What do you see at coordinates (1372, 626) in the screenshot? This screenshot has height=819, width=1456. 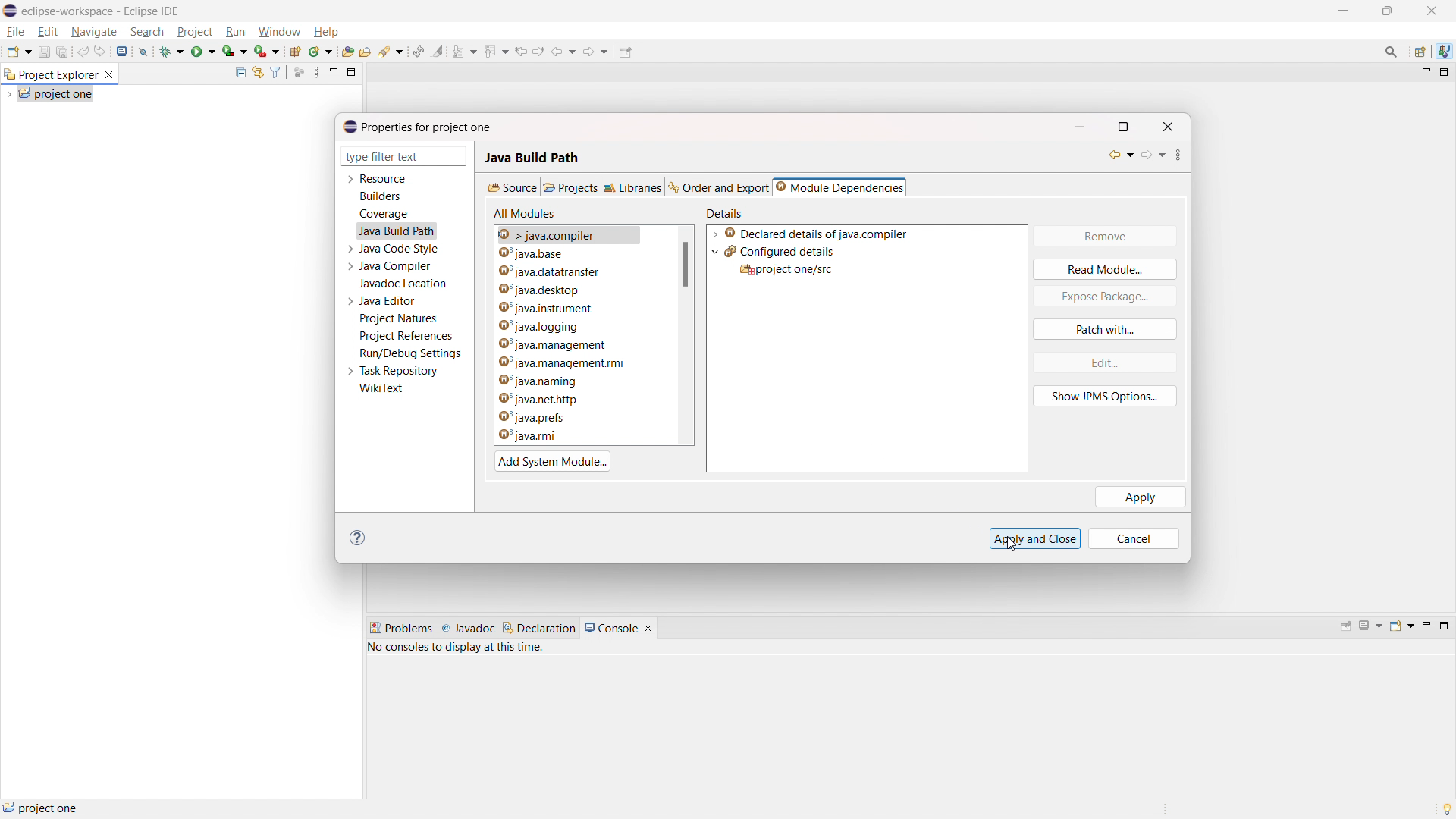 I see `display selected console` at bounding box center [1372, 626].